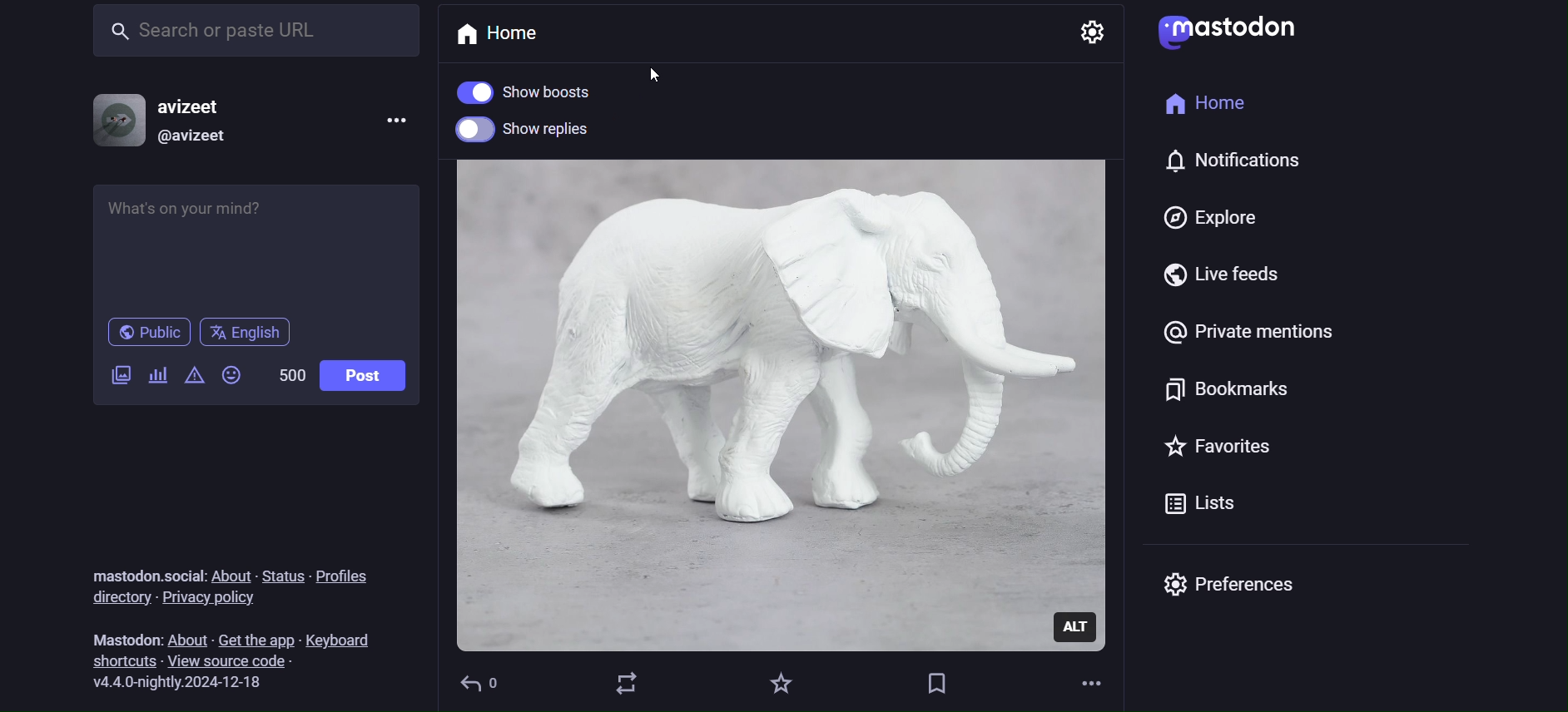 This screenshot has width=1568, height=712. What do you see at coordinates (201, 106) in the screenshot?
I see `username` at bounding box center [201, 106].